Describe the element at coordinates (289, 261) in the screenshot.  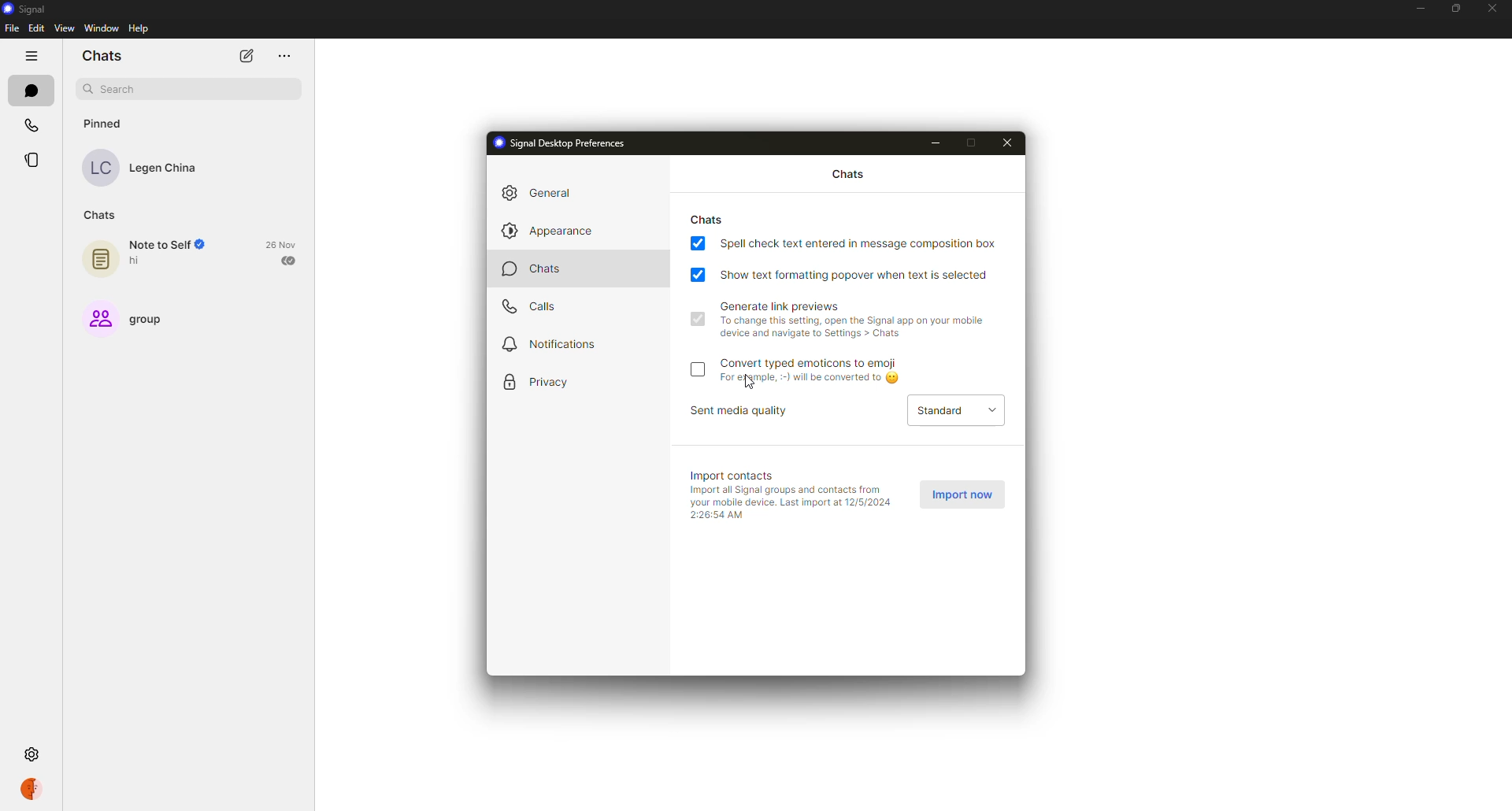
I see `sent` at that location.